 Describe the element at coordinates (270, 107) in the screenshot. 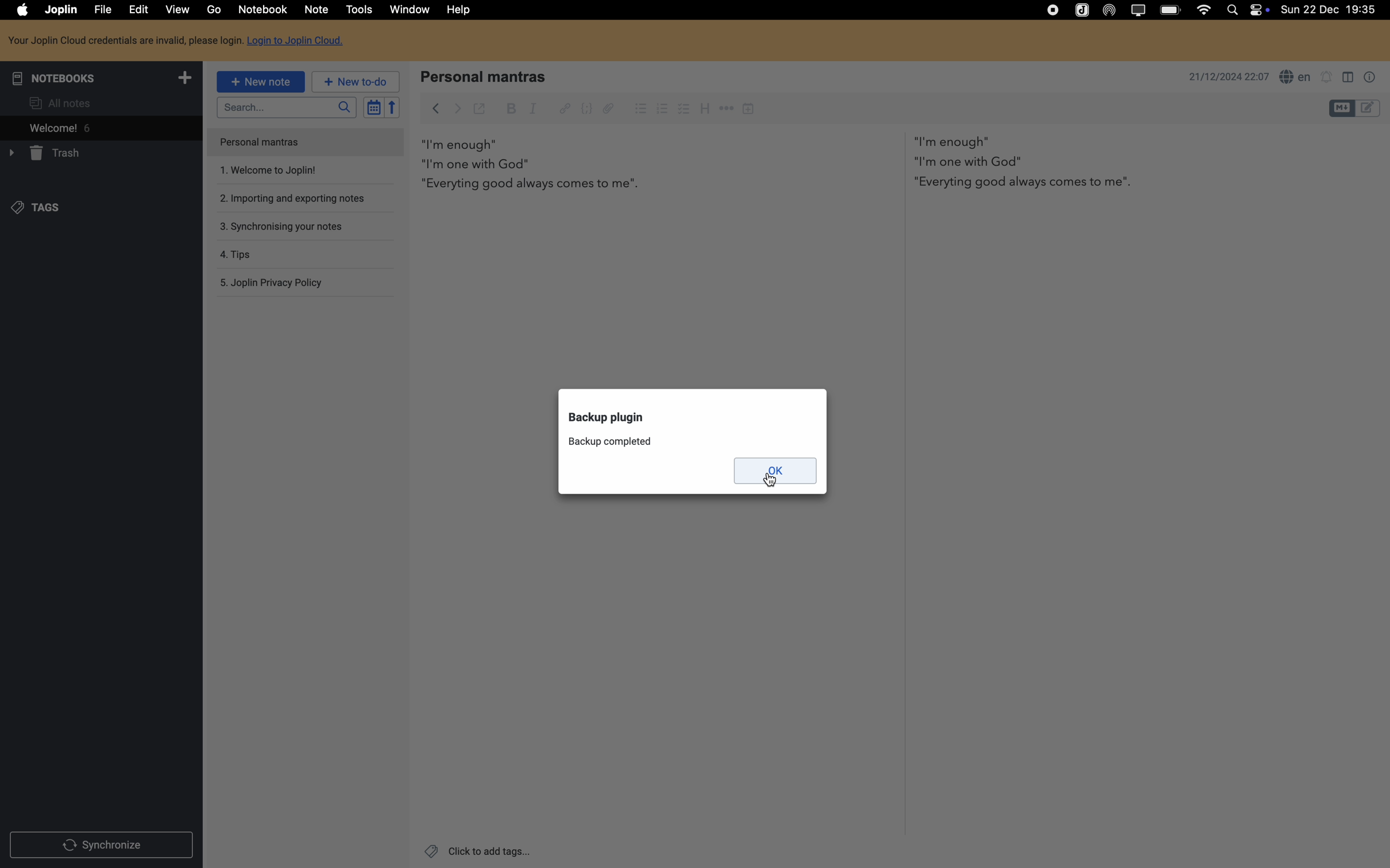

I see `search bar` at that location.